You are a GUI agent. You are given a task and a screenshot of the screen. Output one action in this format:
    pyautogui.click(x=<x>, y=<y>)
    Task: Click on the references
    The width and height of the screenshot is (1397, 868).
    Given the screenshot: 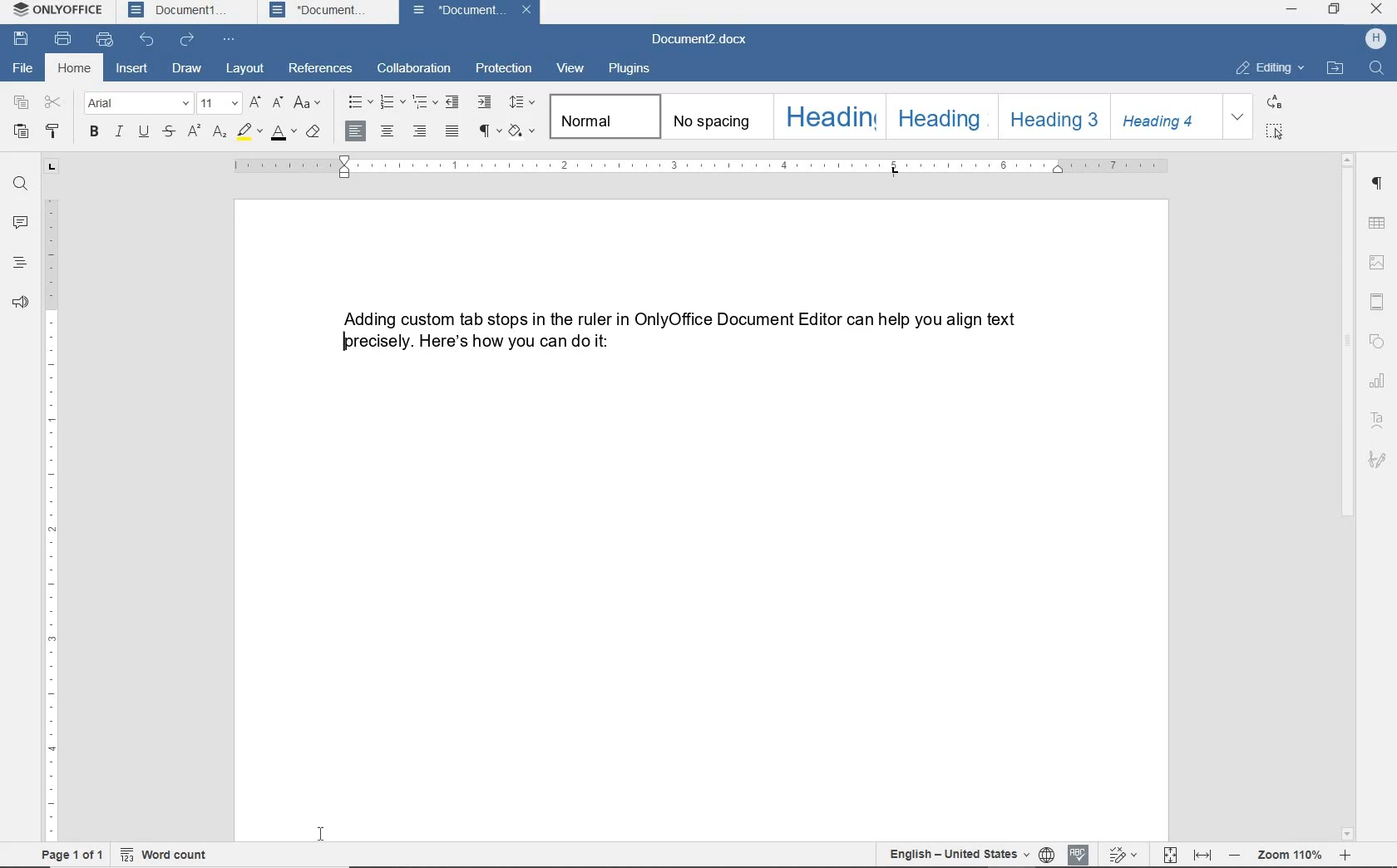 What is the action you would take?
    pyautogui.click(x=321, y=68)
    